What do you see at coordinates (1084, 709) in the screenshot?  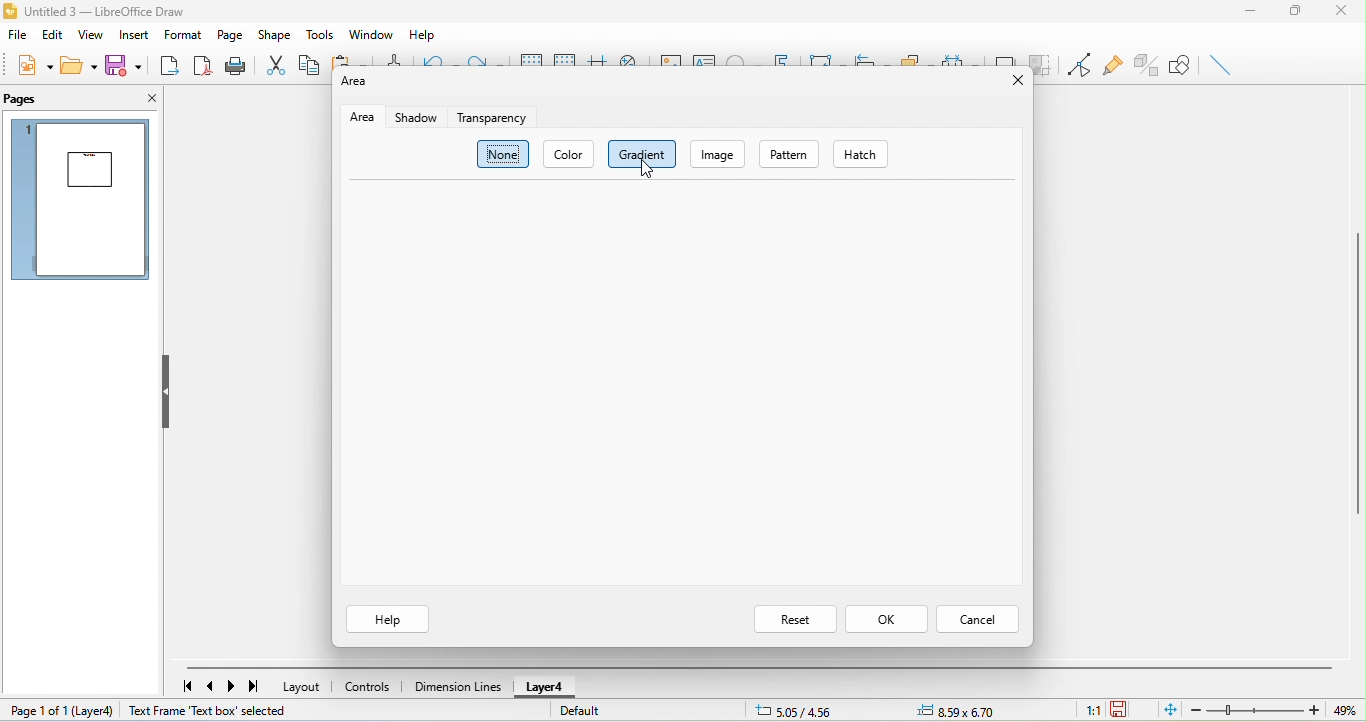 I see `1:1` at bounding box center [1084, 709].